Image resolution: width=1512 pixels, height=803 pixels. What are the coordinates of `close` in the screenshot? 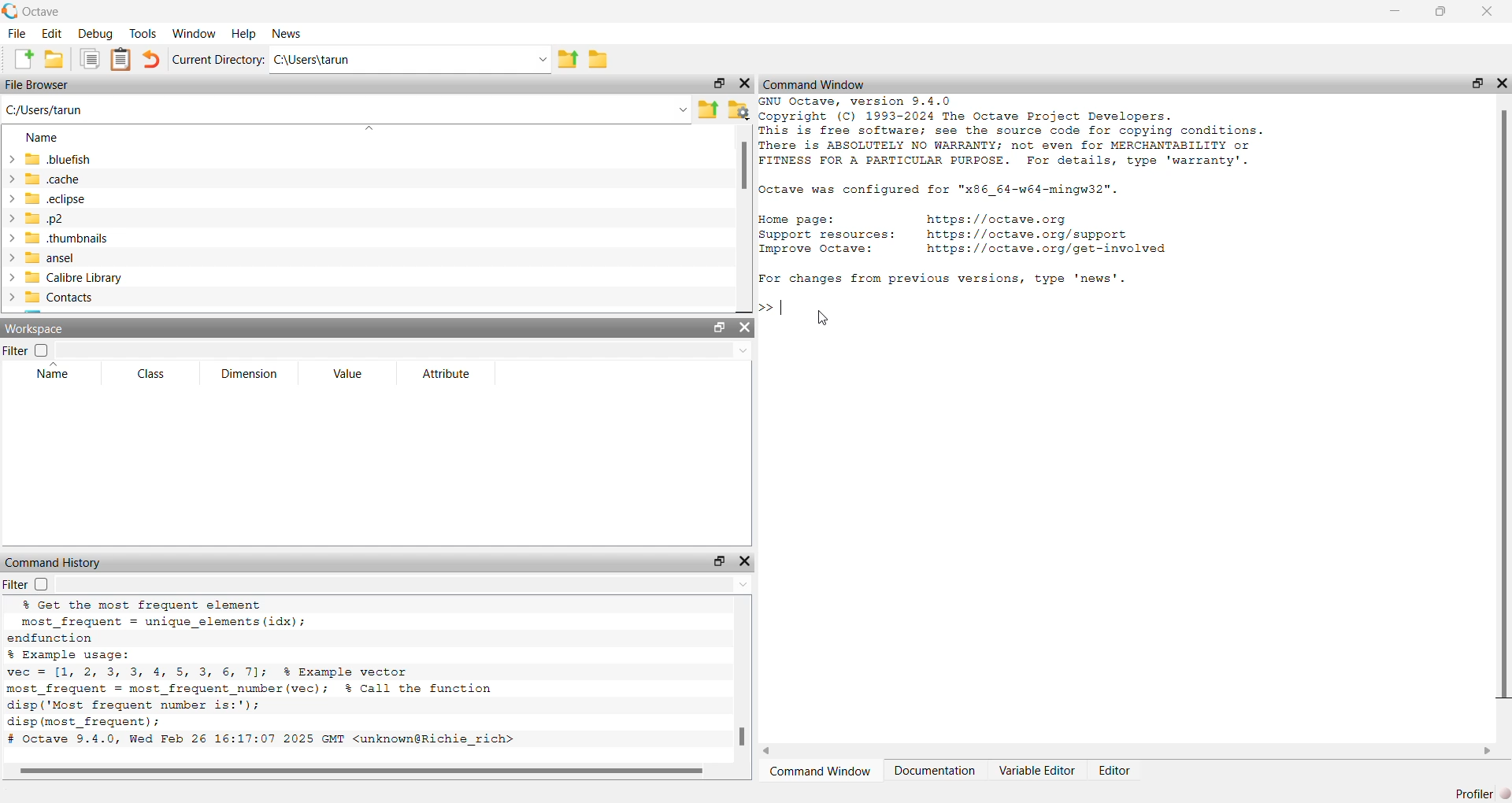 It's located at (1503, 83).